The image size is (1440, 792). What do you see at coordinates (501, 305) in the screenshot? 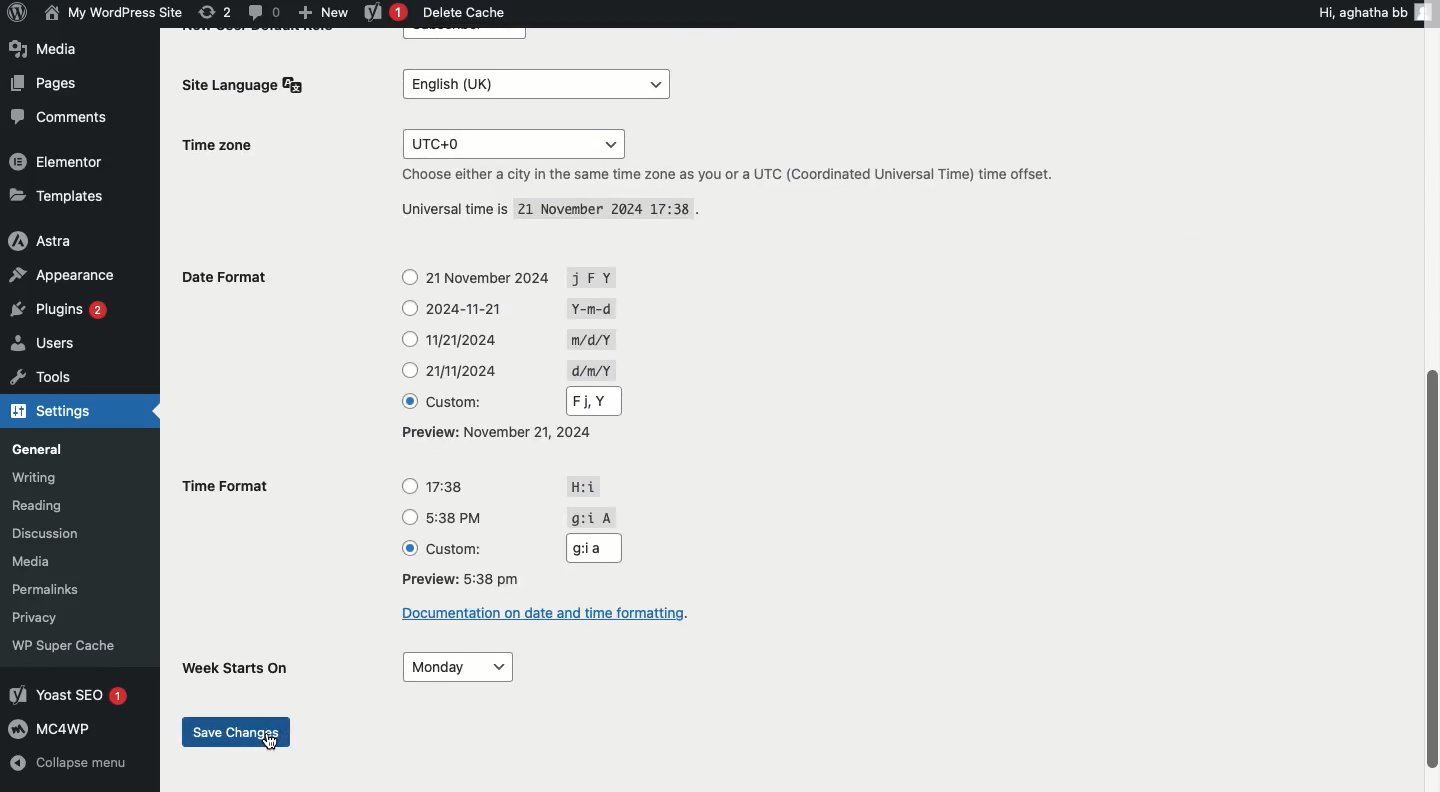
I see `2024-1-21 Y-m-d` at bounding box center [501, 305].